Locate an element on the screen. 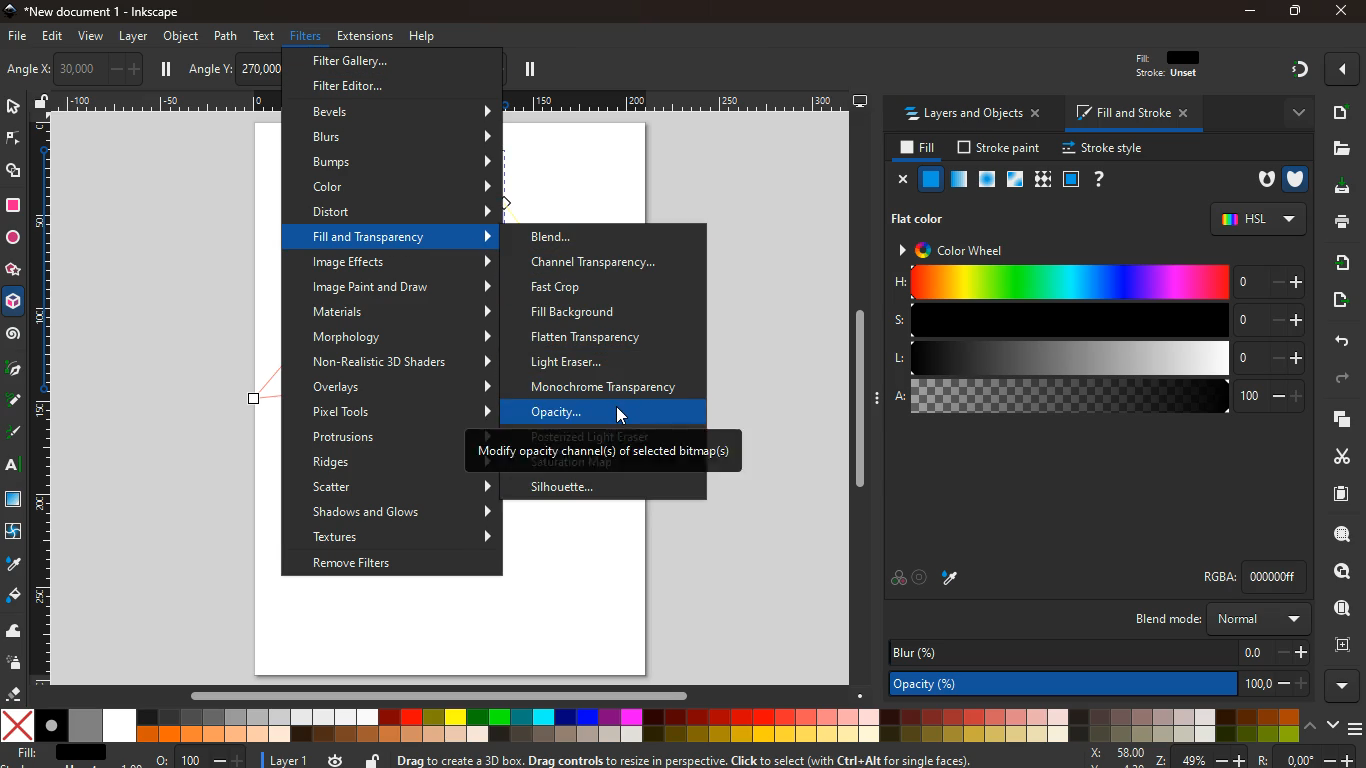 The height and width of the screenshot is (768, 1366). text is located at coordinates (266, 35).